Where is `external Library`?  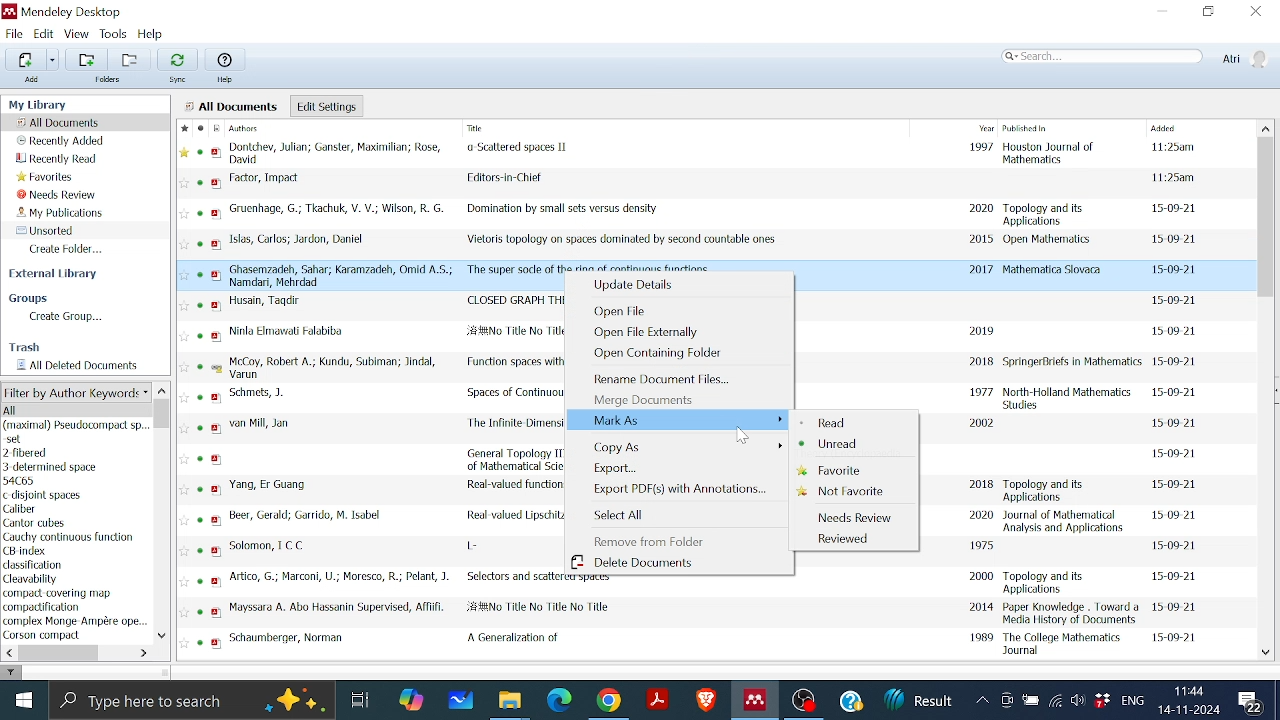 external Library is located at coordinates (61, 276).